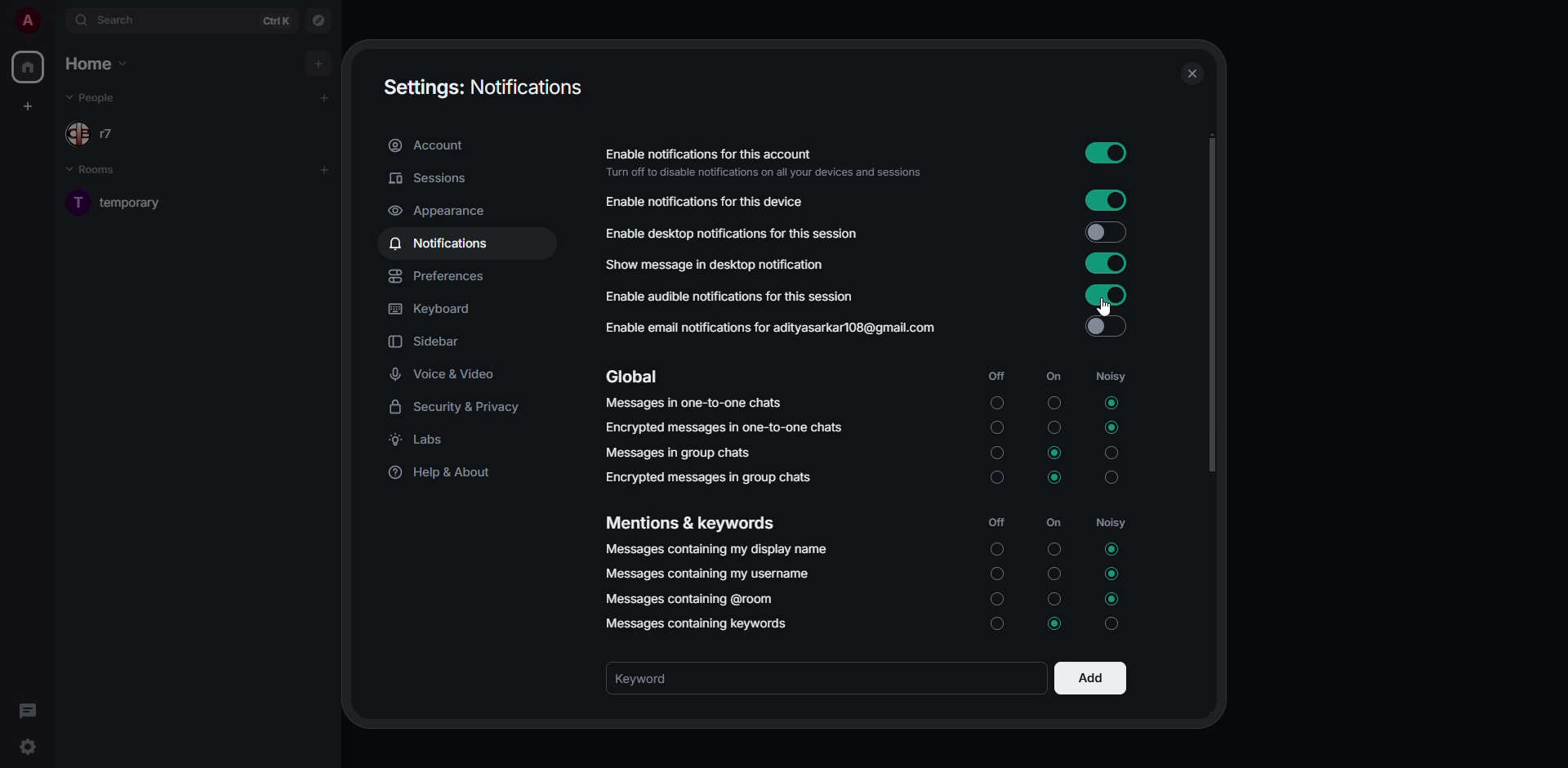  Describe the element at coordinates (486, 87) in the screenshot. I see `settings notifications` at that location.